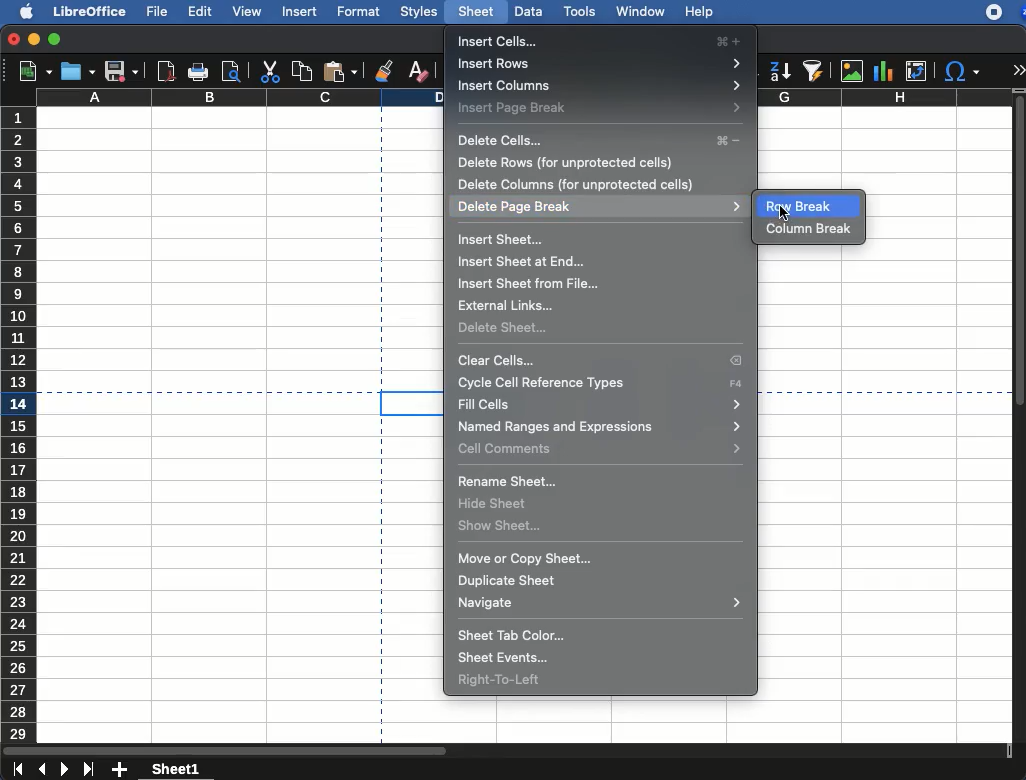 This screenshot has width=1026, height=780. Describe the element at coordinates (700, 12) in the screenshot. I see `help` at that location.